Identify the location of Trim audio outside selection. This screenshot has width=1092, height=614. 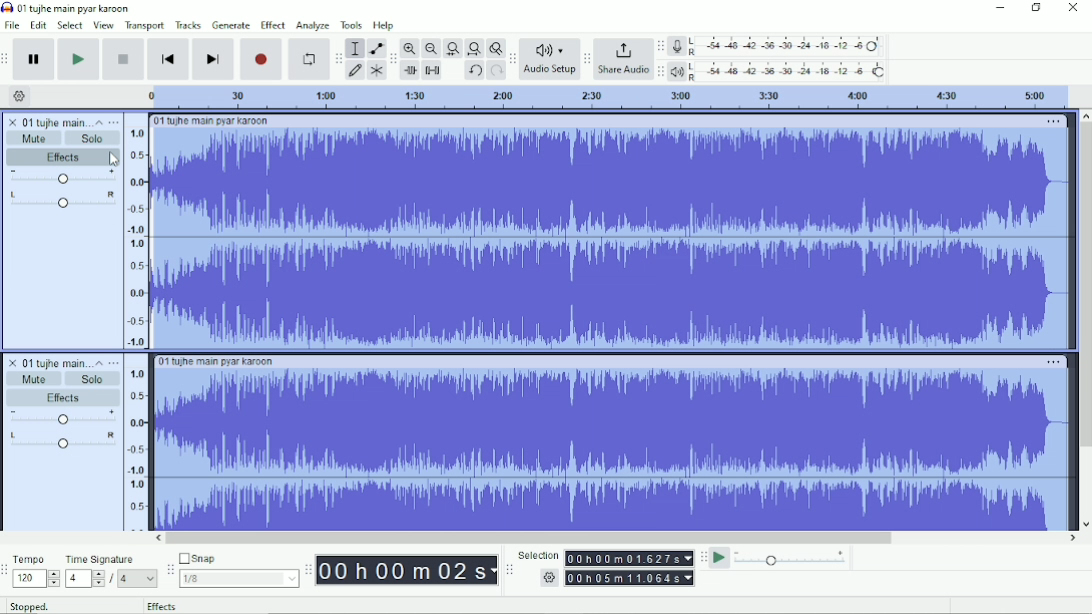
(412, 71).